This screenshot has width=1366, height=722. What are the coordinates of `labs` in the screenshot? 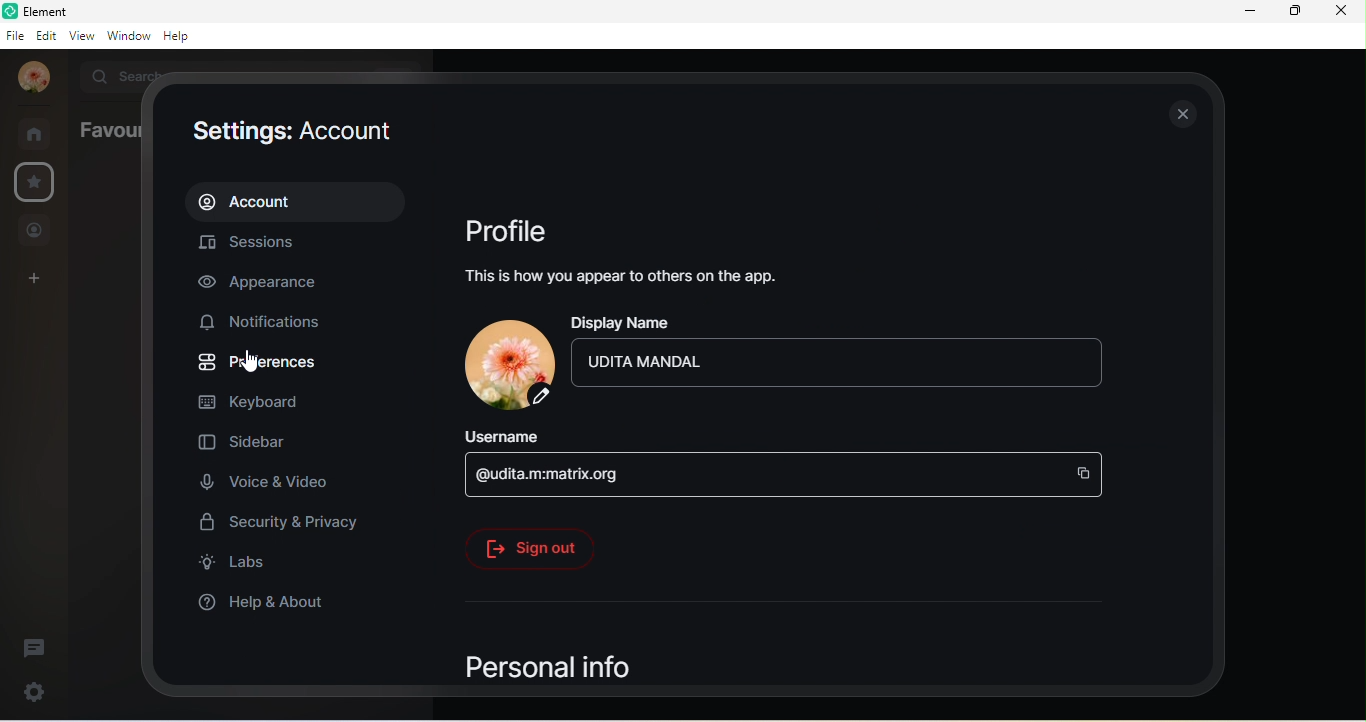 It's located at (234, 562).